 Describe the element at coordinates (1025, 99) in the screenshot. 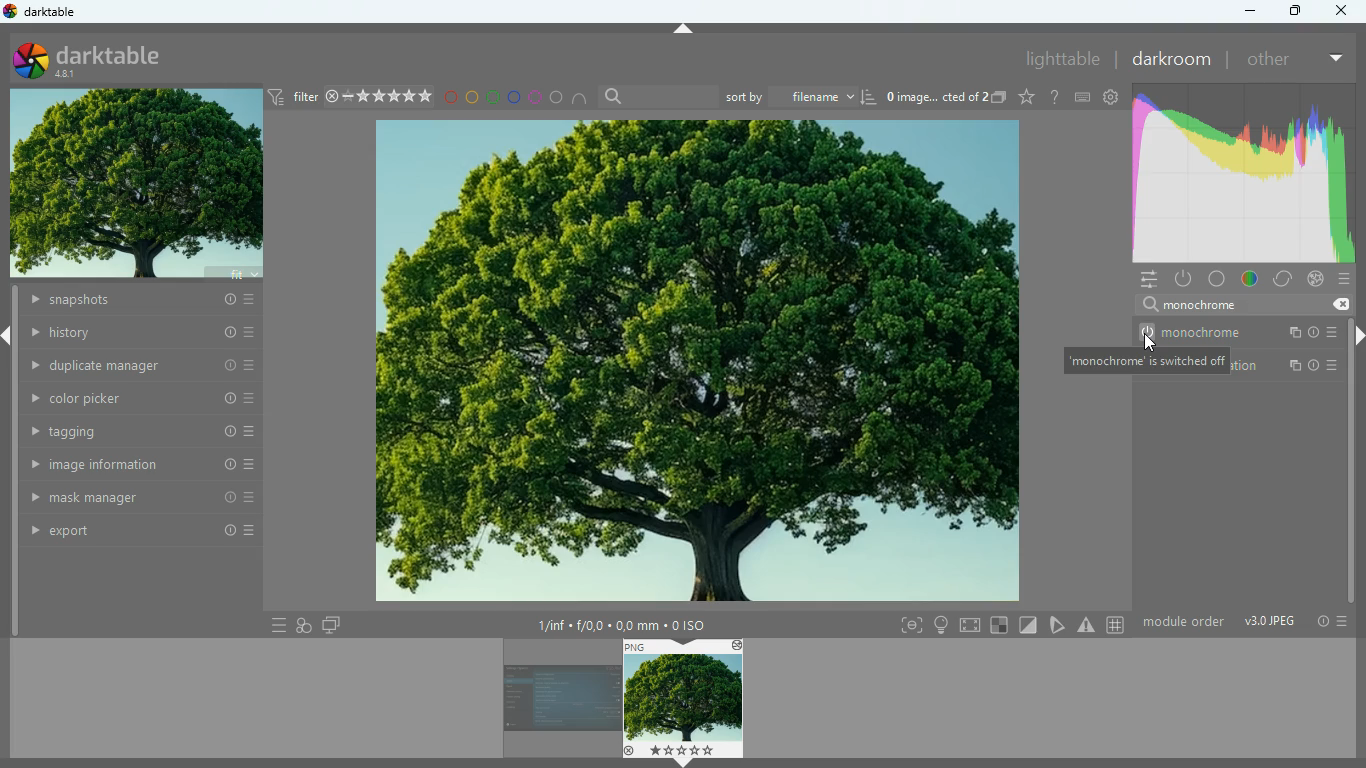

I see `favorite` at that location.